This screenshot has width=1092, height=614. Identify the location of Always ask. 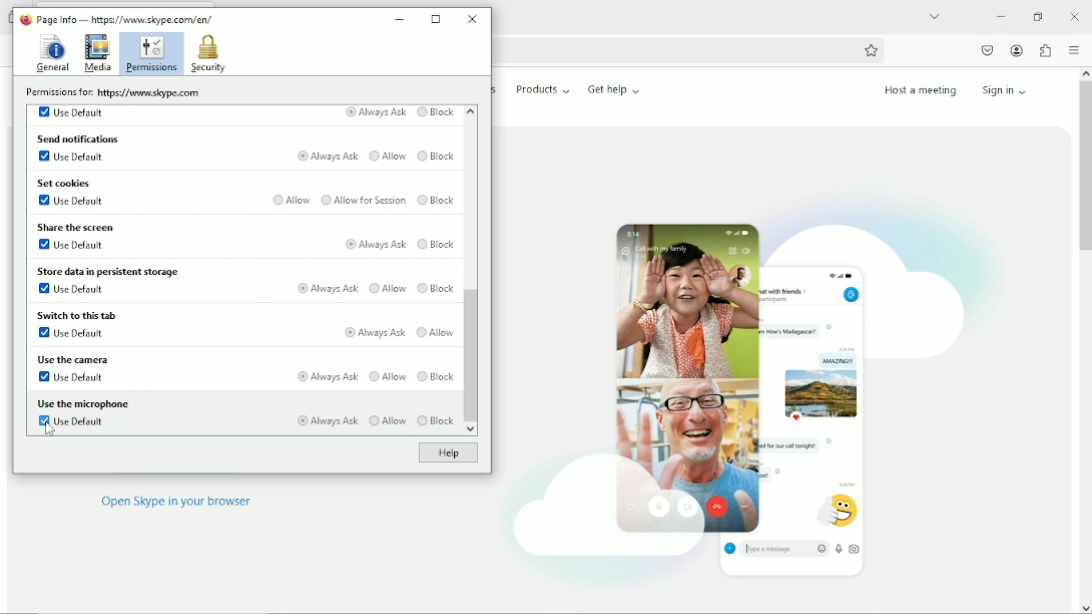
(329, 156).